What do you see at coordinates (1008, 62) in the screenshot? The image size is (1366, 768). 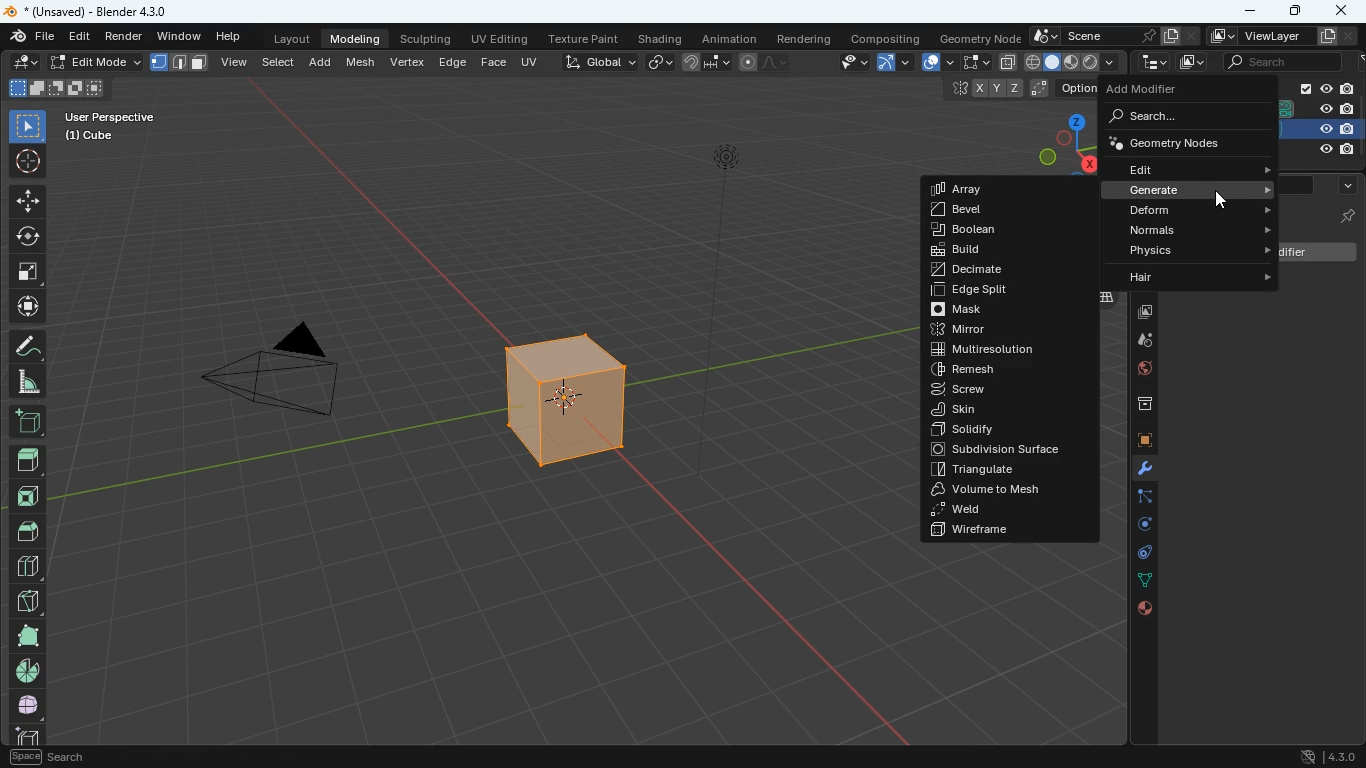 I see `copy` at bounding box center [1008, 62].